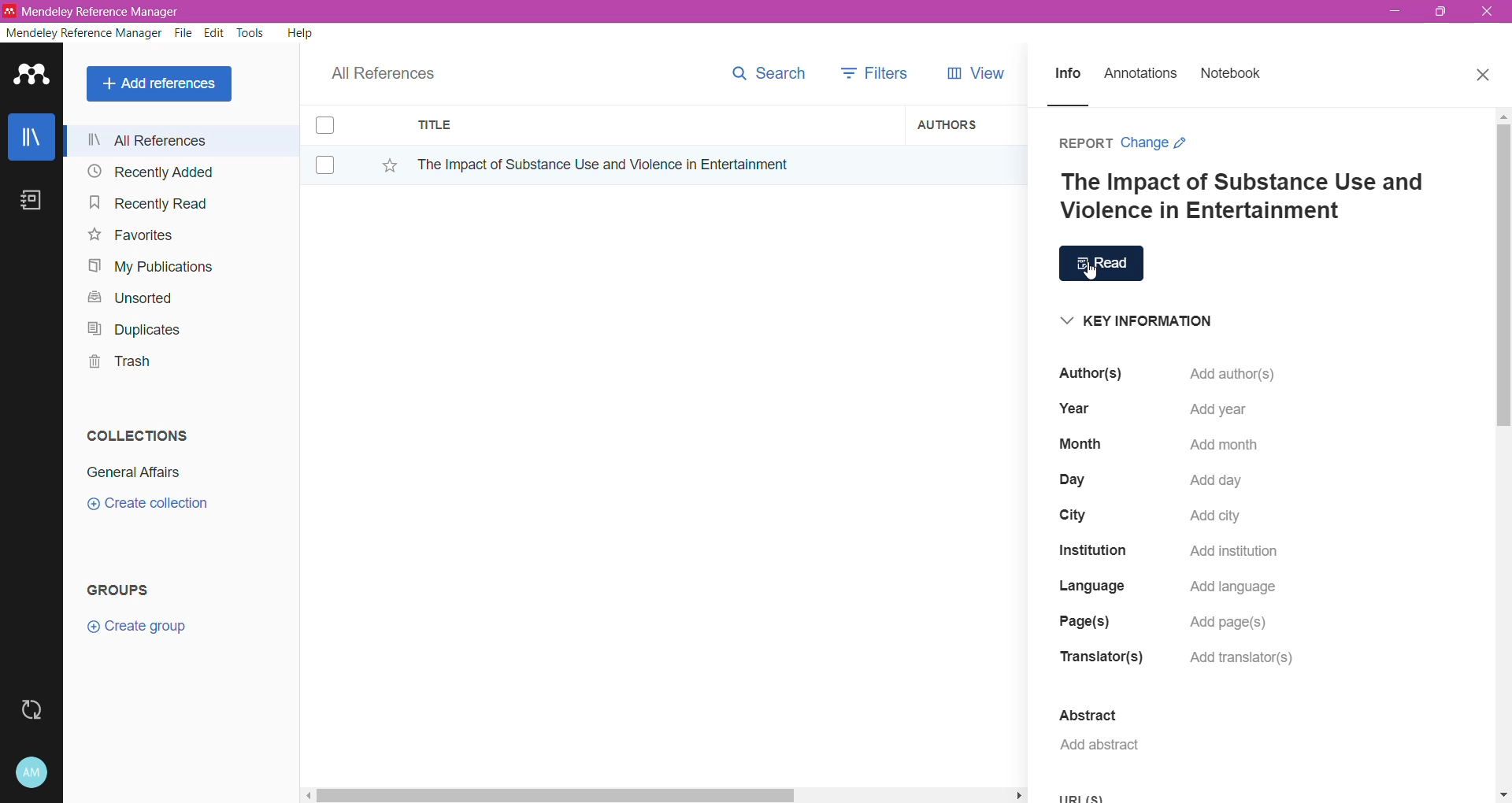 The width and height of the screenshot is (1512, 803). Describe the element at coordinates (1104, 655) in the screenshot. I see `Translator(s)` at that location.